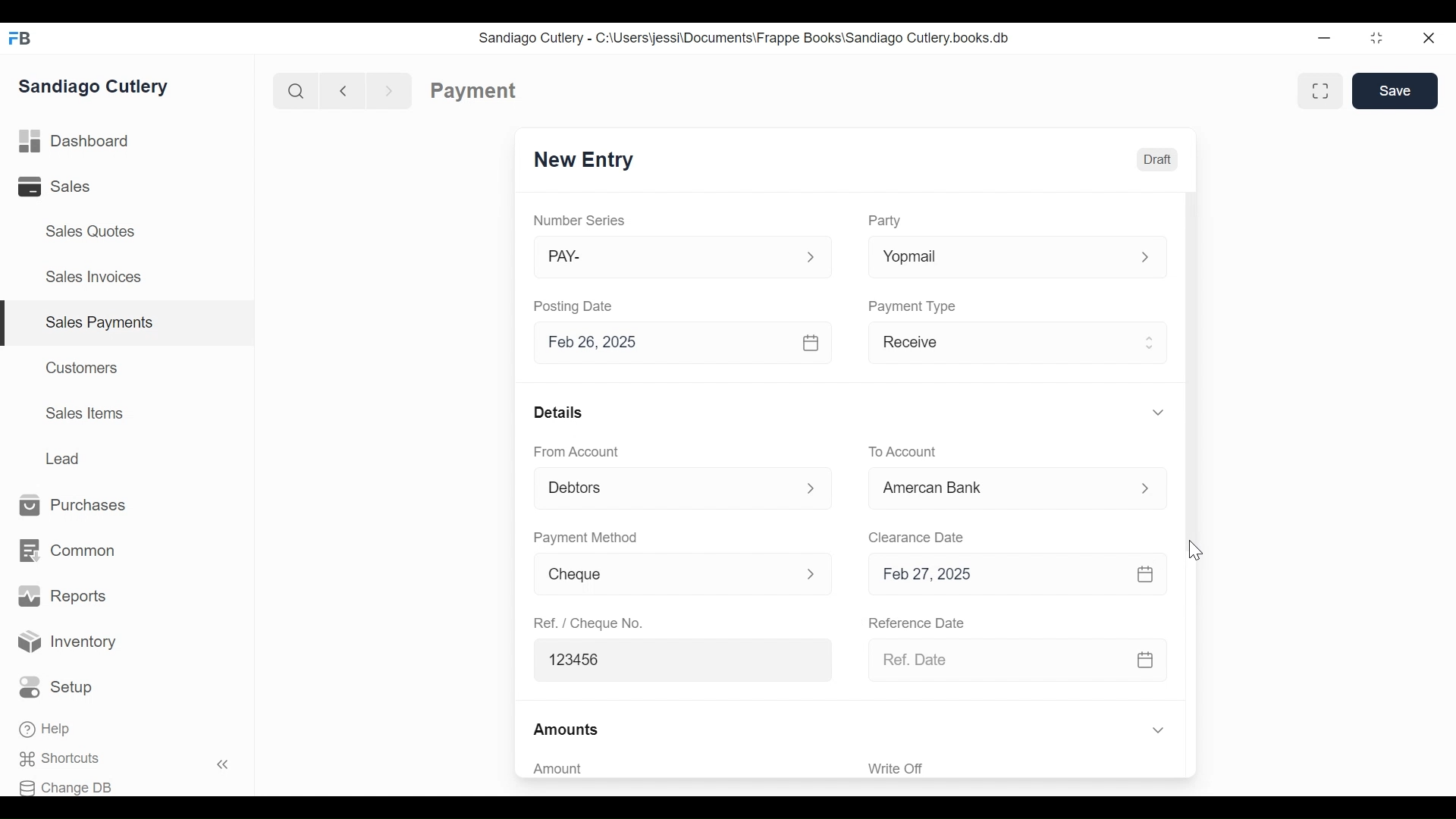  Describe the element at coordinates (66, 551) in the screenshot. I see `Common` at that location.